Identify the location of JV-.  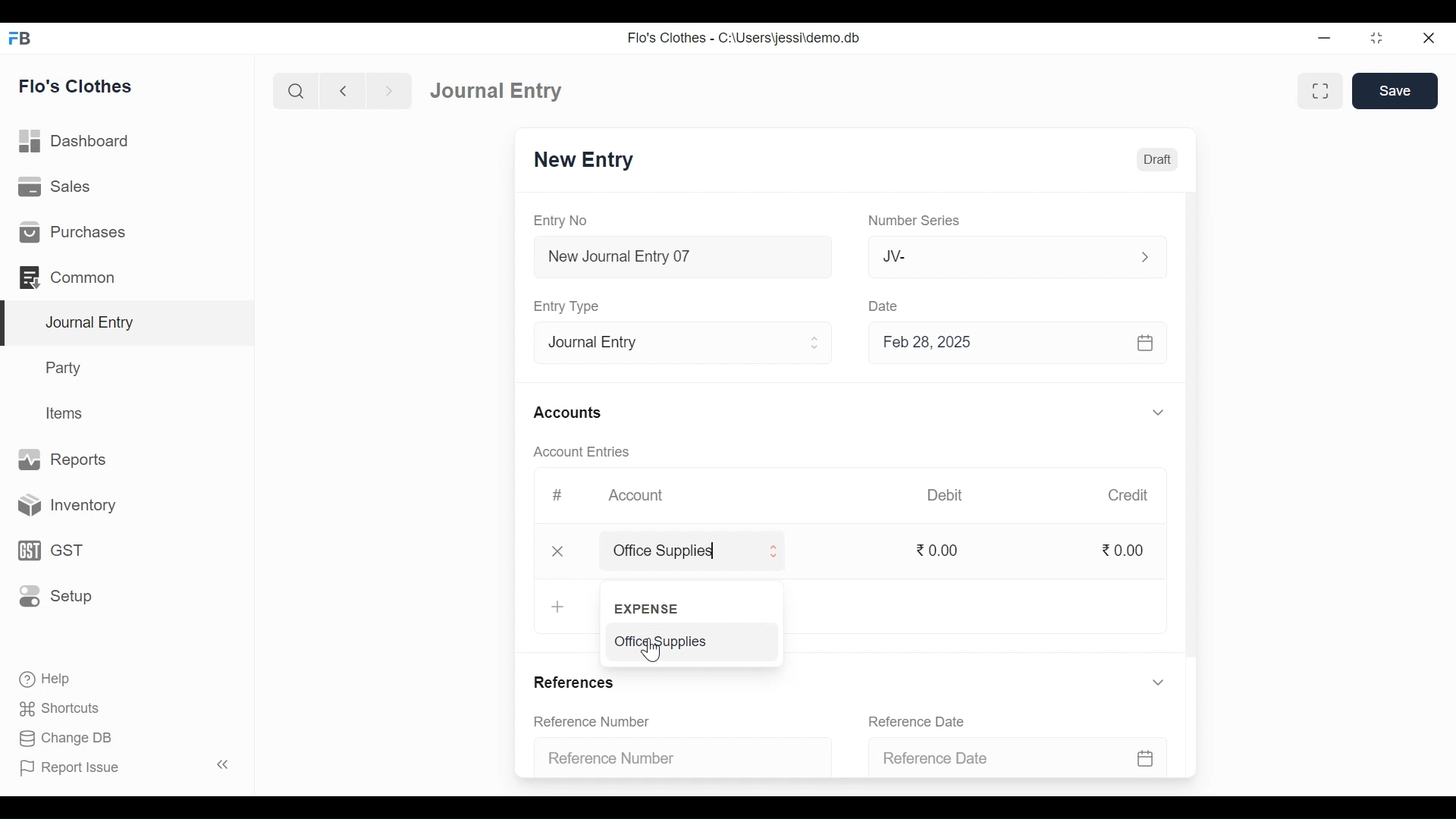
(990, 257).